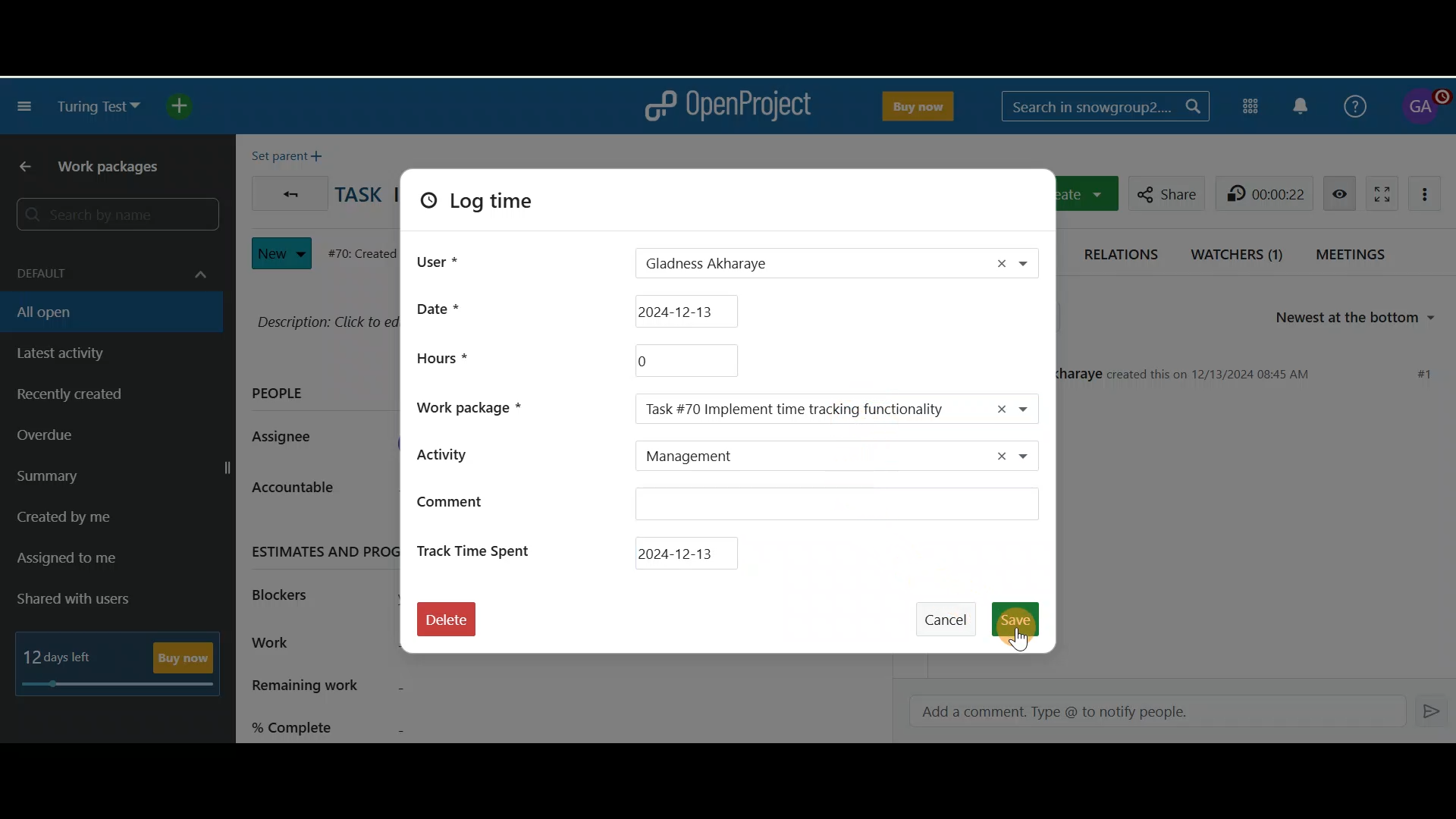 This screenshot has width=1456, height=819. What do you see at coordinates (1033, 265) in the screenshot?
I see `User drop down` at bounding box center [1033, 265].